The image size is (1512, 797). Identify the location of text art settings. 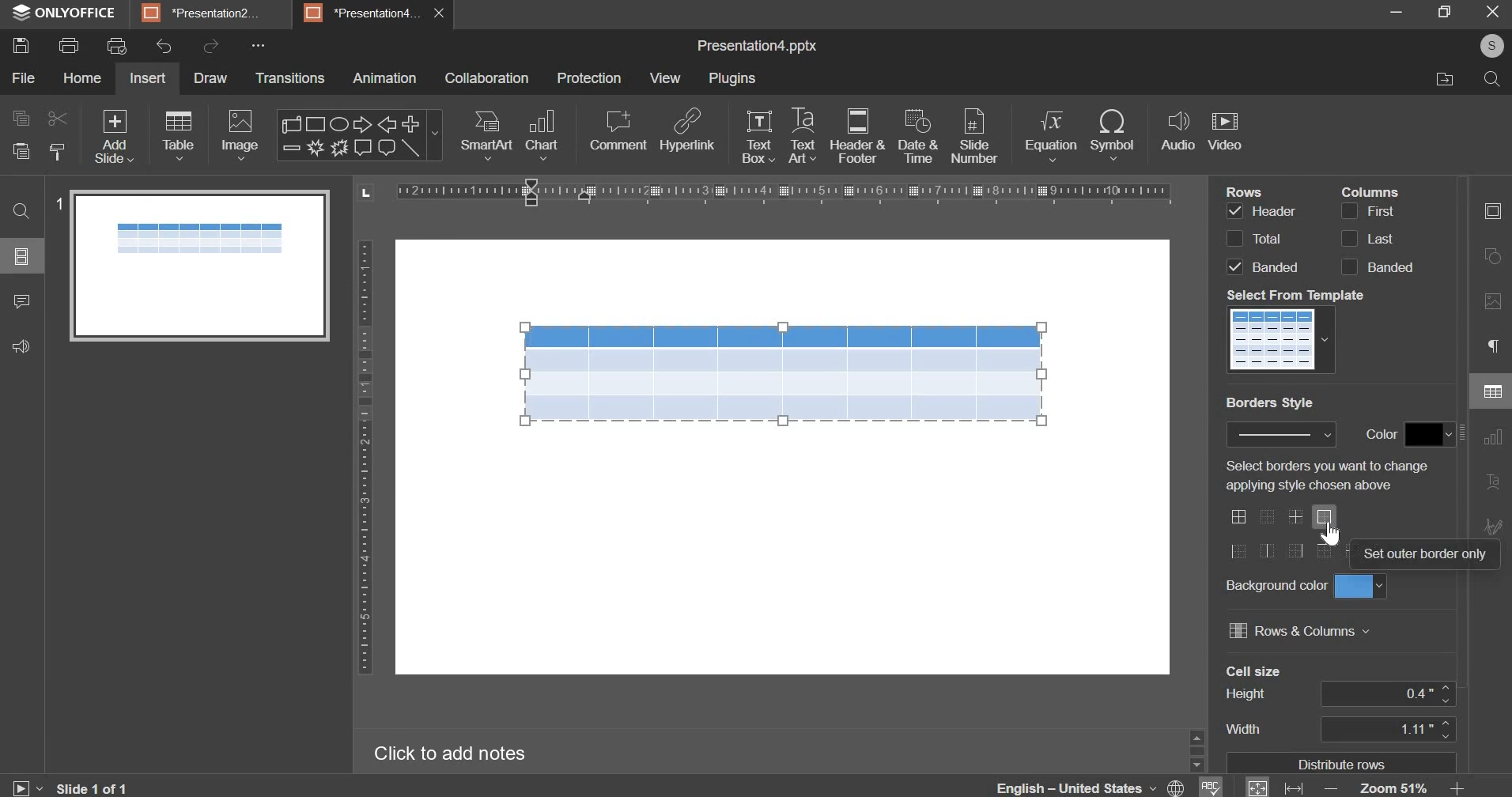
(1492, 482).